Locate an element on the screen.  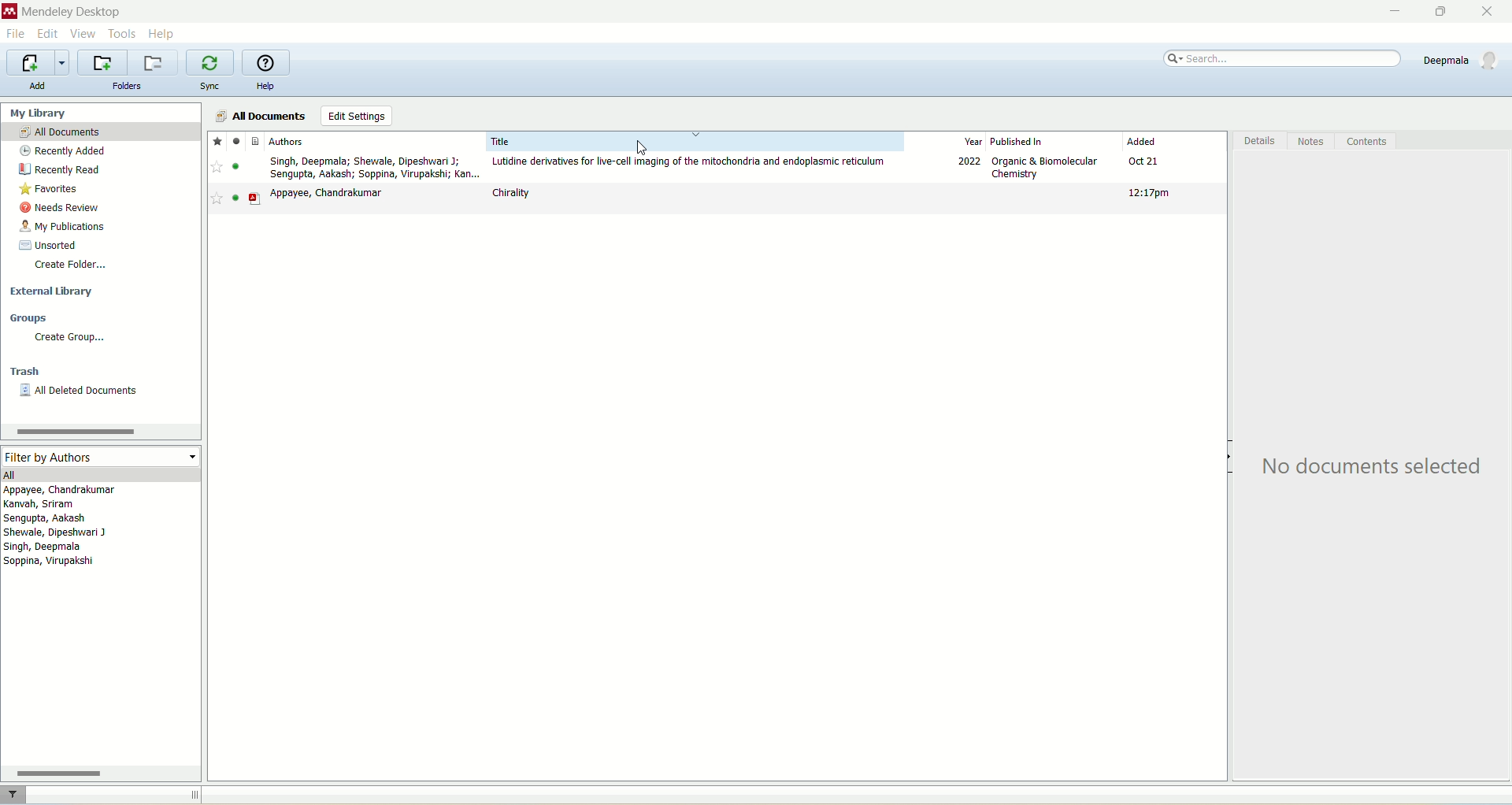
title is located at coordinates (694, 141).